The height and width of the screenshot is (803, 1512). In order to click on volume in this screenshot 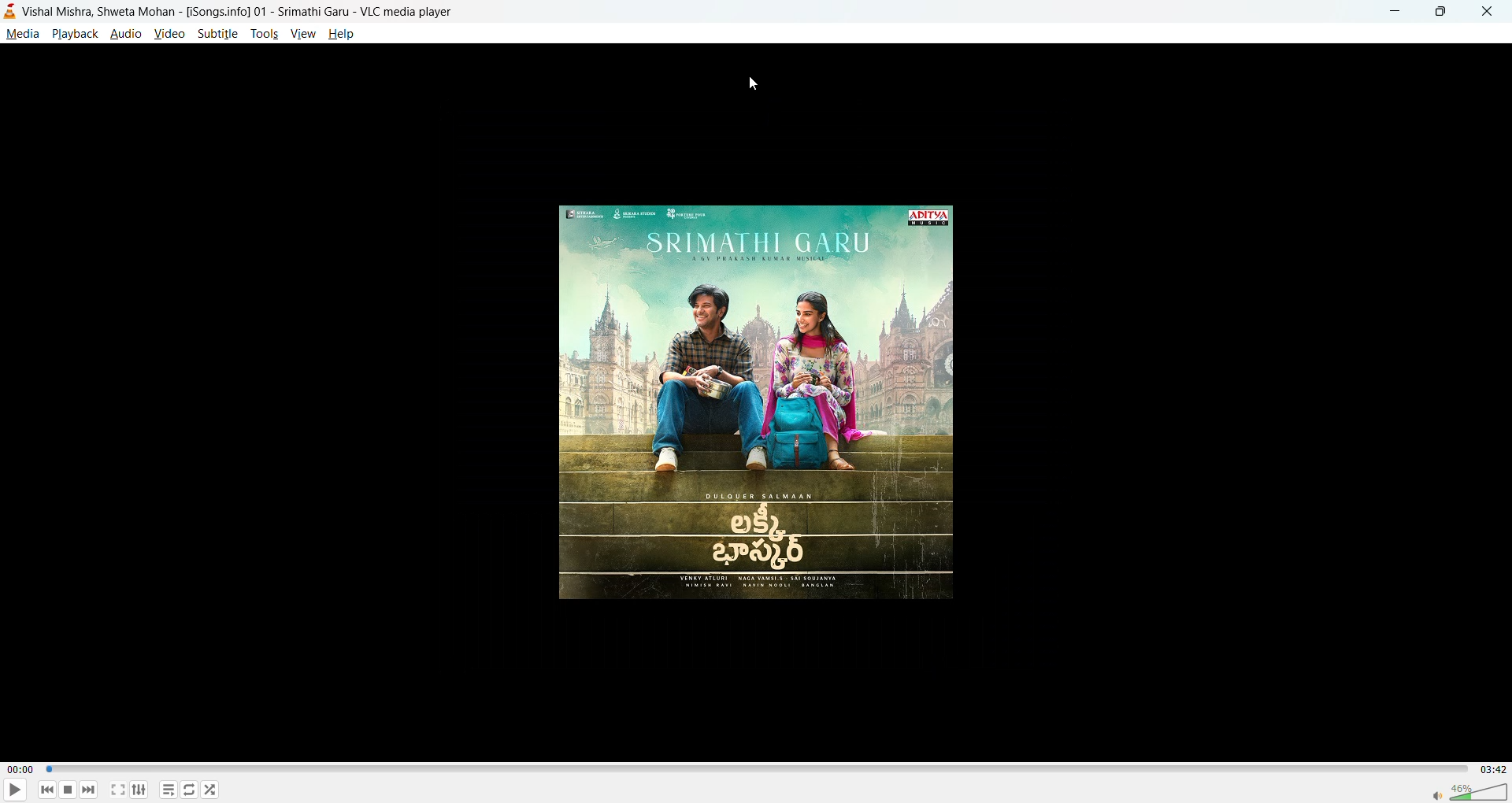, I will do `click(1469, 790)`.